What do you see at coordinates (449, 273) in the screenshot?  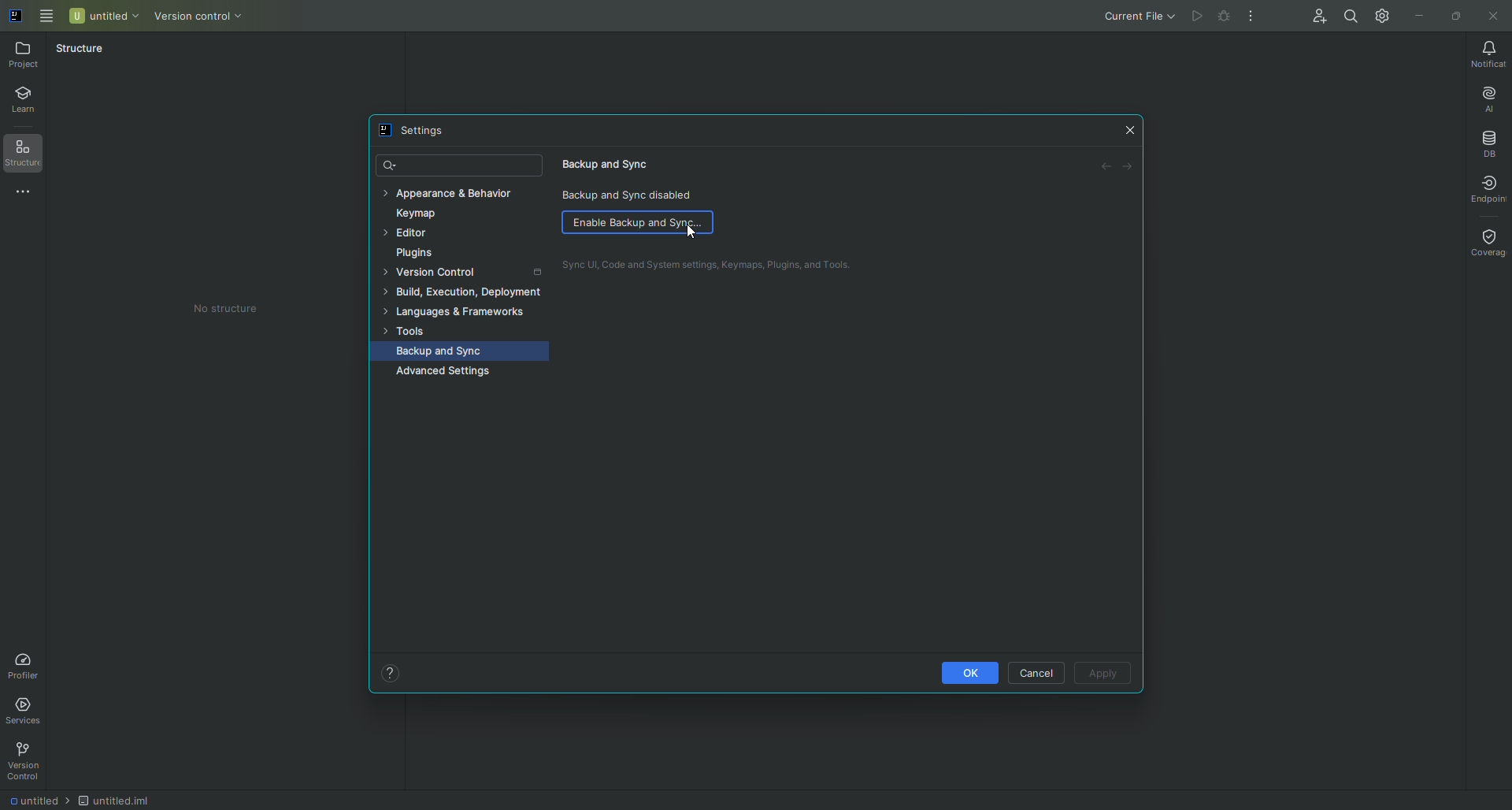 I see `Version Control` at bounding box center [449, 273].